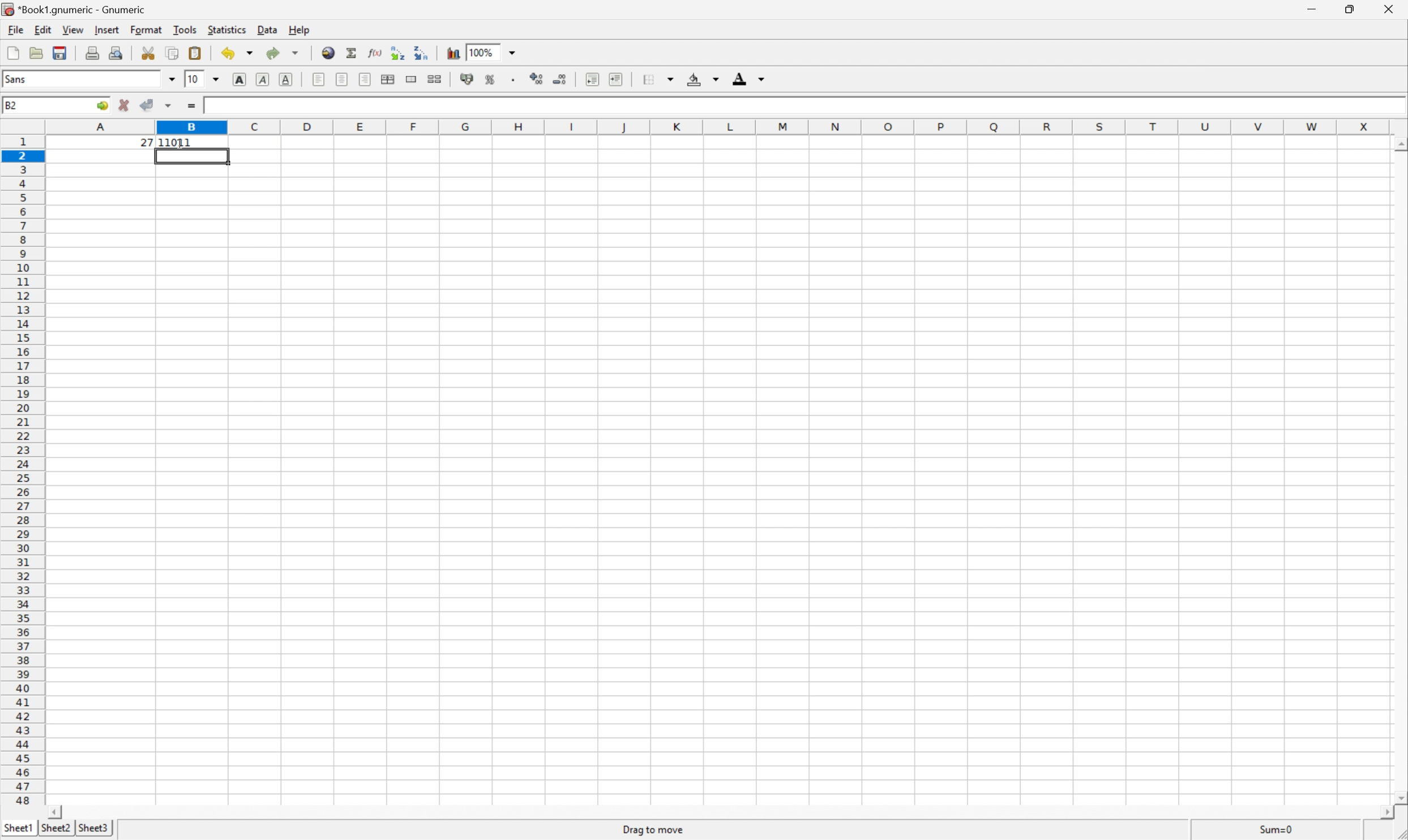  Describe the element at coordinates (559, 78) in the screenshot. I see `Decrease the decimals displayed` at that location.